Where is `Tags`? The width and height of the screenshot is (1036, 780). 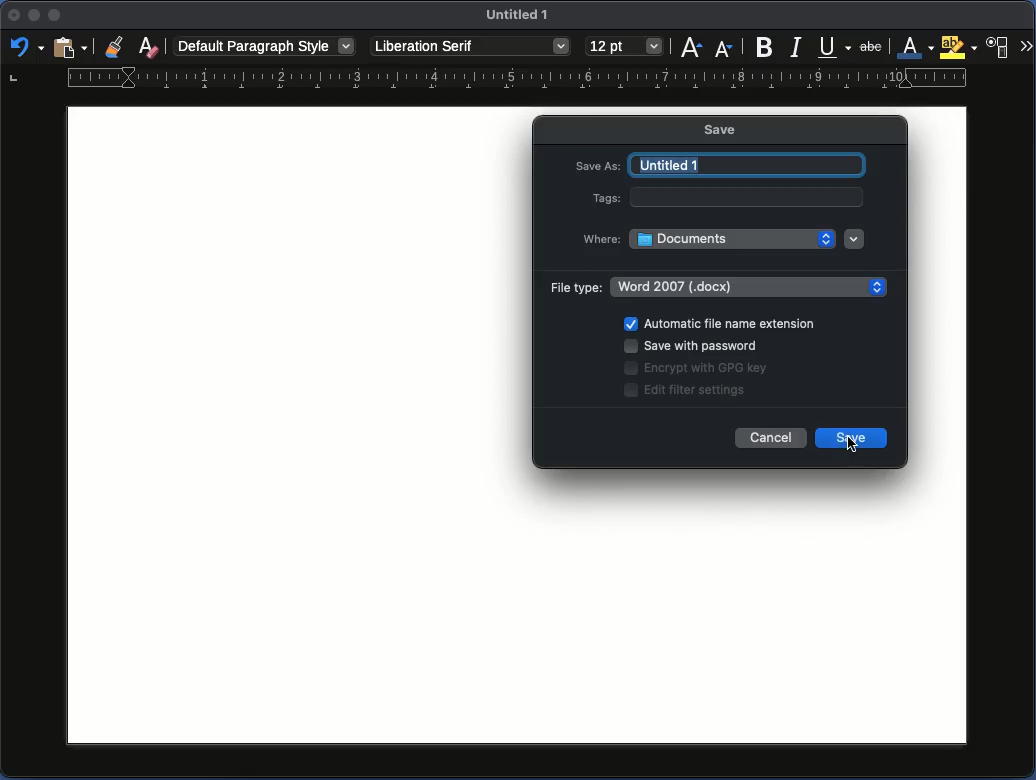 Tags is located at coordinates (607, 196).